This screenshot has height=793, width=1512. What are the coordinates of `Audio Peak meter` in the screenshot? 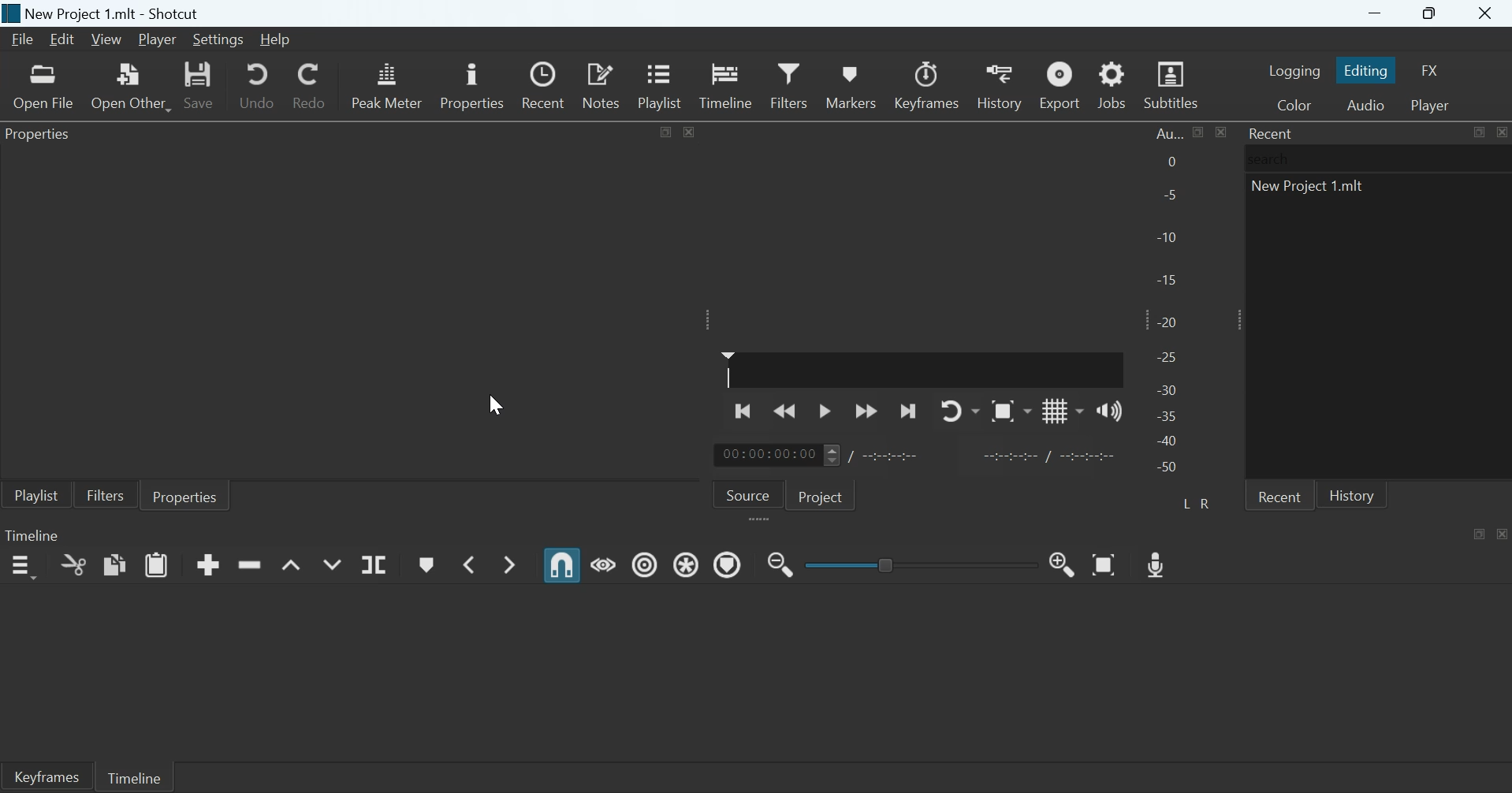 It's located at (387, 83).